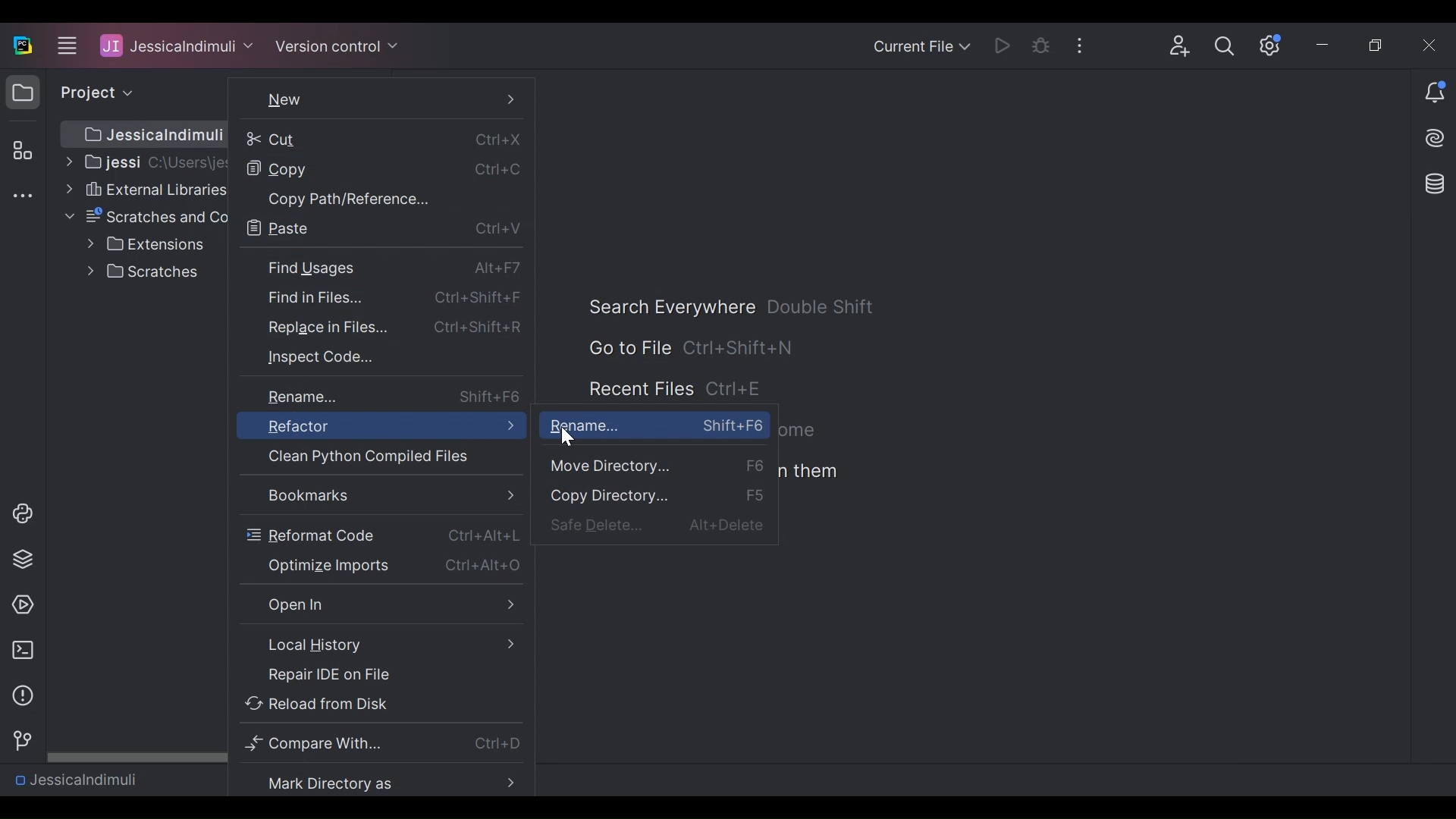 The height and width of the screenshot is (819, 1456). Describe the element at coordinates (809, 472) in the screenshot. I see `Drop Files here to open them` at that location.